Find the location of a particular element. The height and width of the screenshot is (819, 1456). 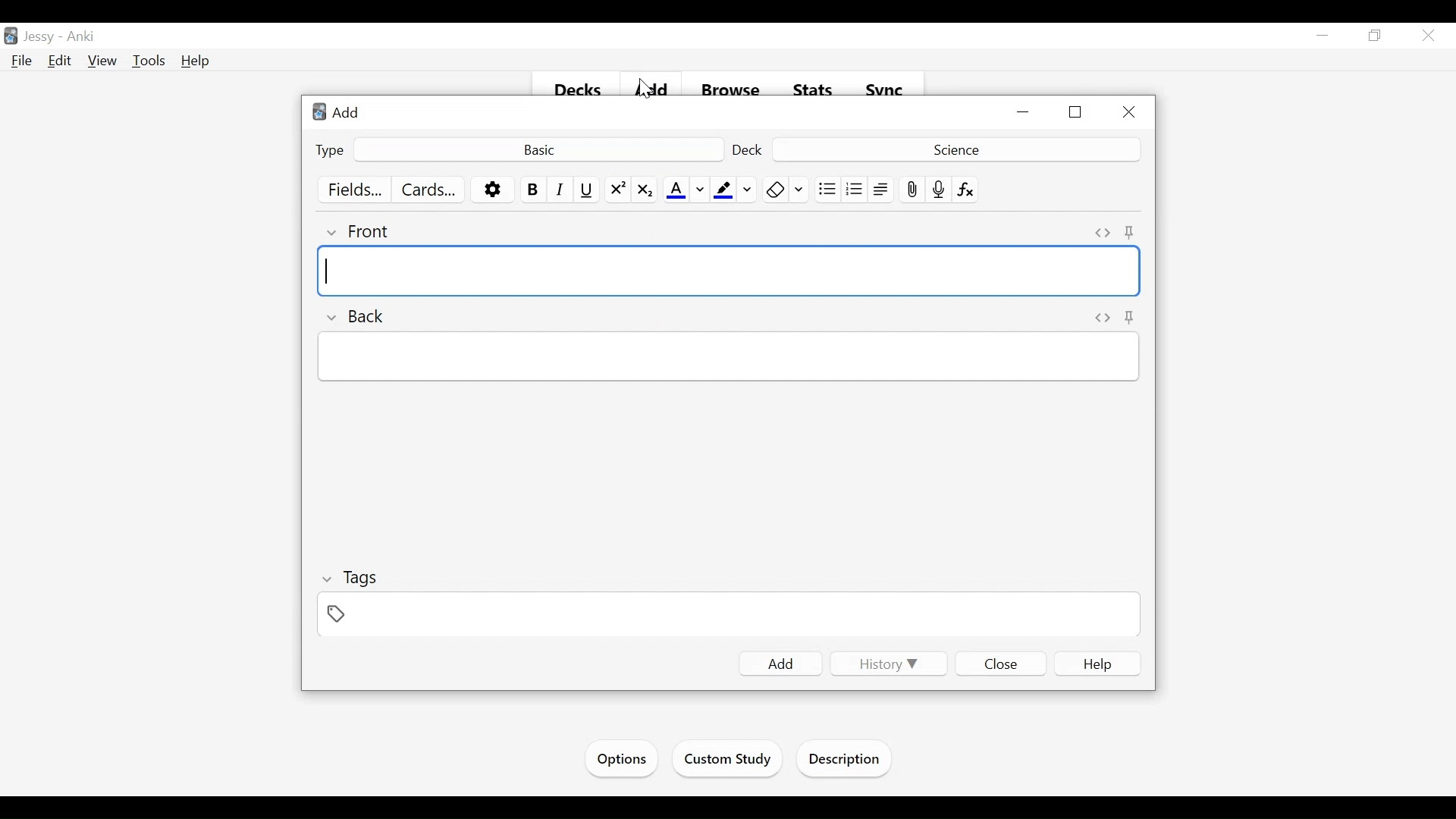

Custom Study is located at coordinates (729, 761).